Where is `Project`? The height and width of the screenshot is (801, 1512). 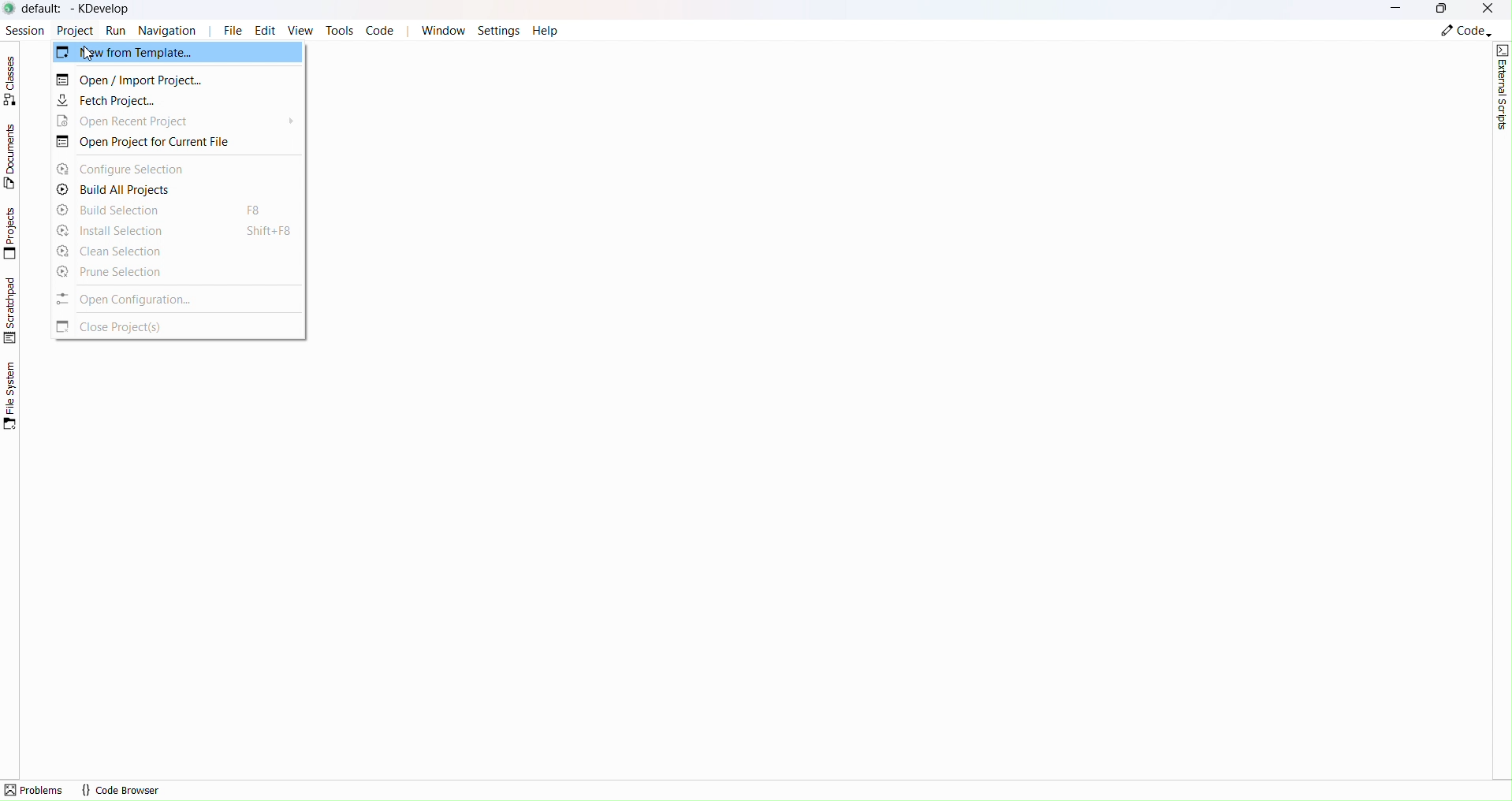
Project is located at coordinates (74, 29).